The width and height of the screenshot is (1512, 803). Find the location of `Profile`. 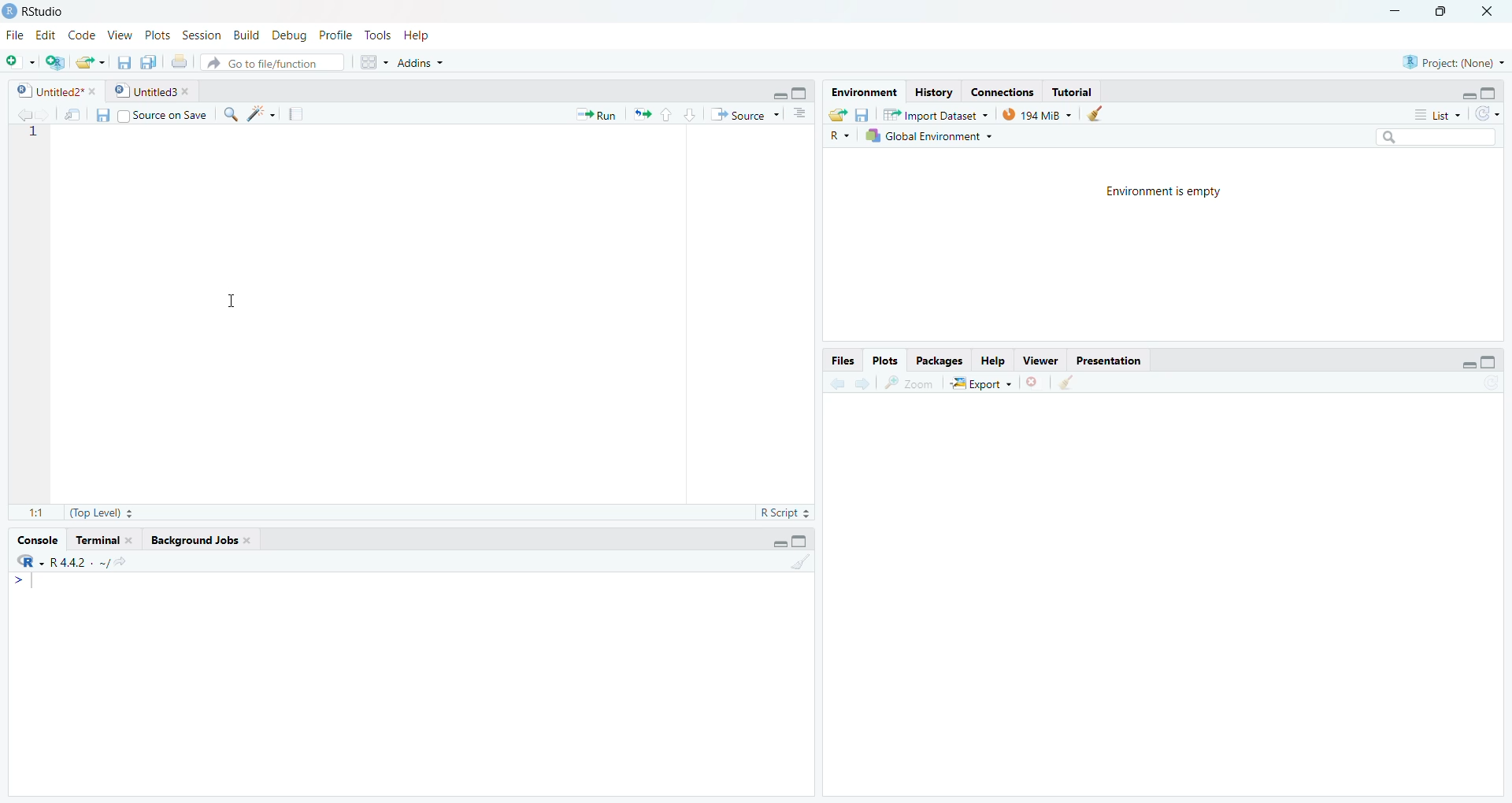

Profile is located at coordinates (335, 35).